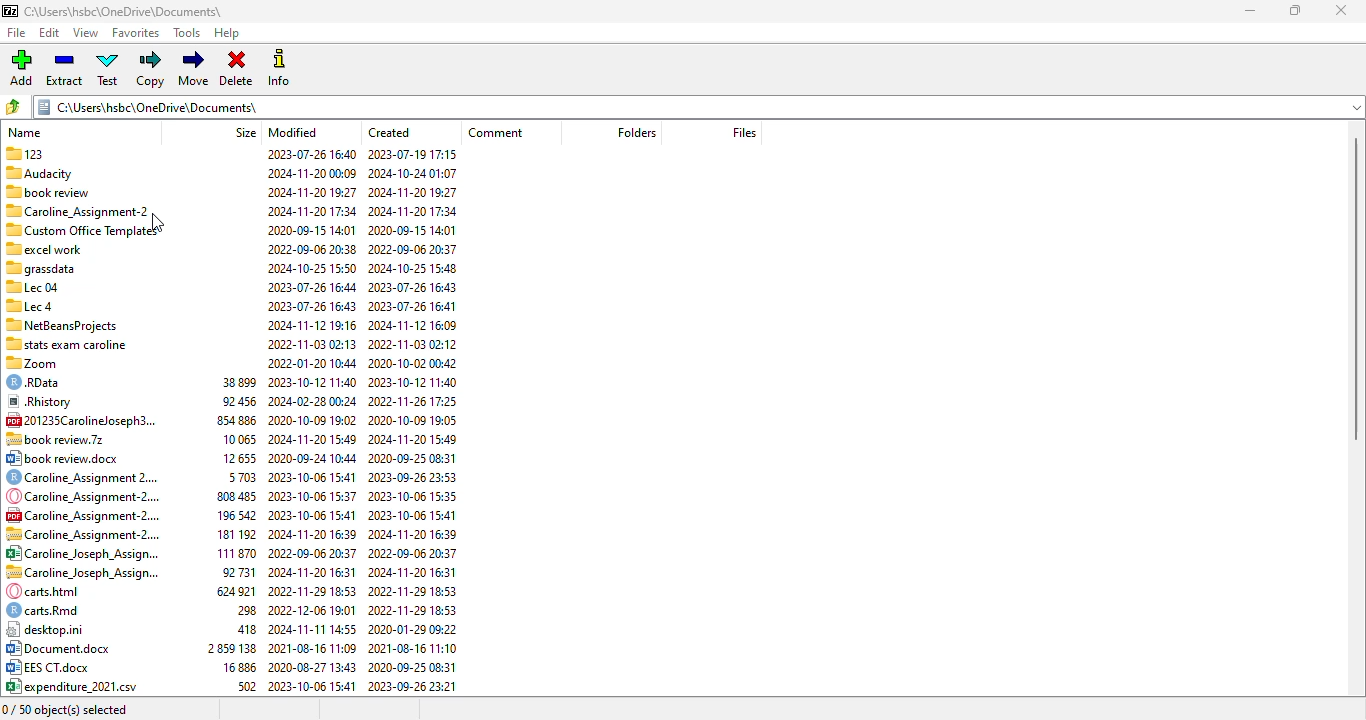 The image size is (1366, 720). What do you see at coordinates (1296, 10) in the screenshot?
I see `maximize` at bounding box center [1296, 10].